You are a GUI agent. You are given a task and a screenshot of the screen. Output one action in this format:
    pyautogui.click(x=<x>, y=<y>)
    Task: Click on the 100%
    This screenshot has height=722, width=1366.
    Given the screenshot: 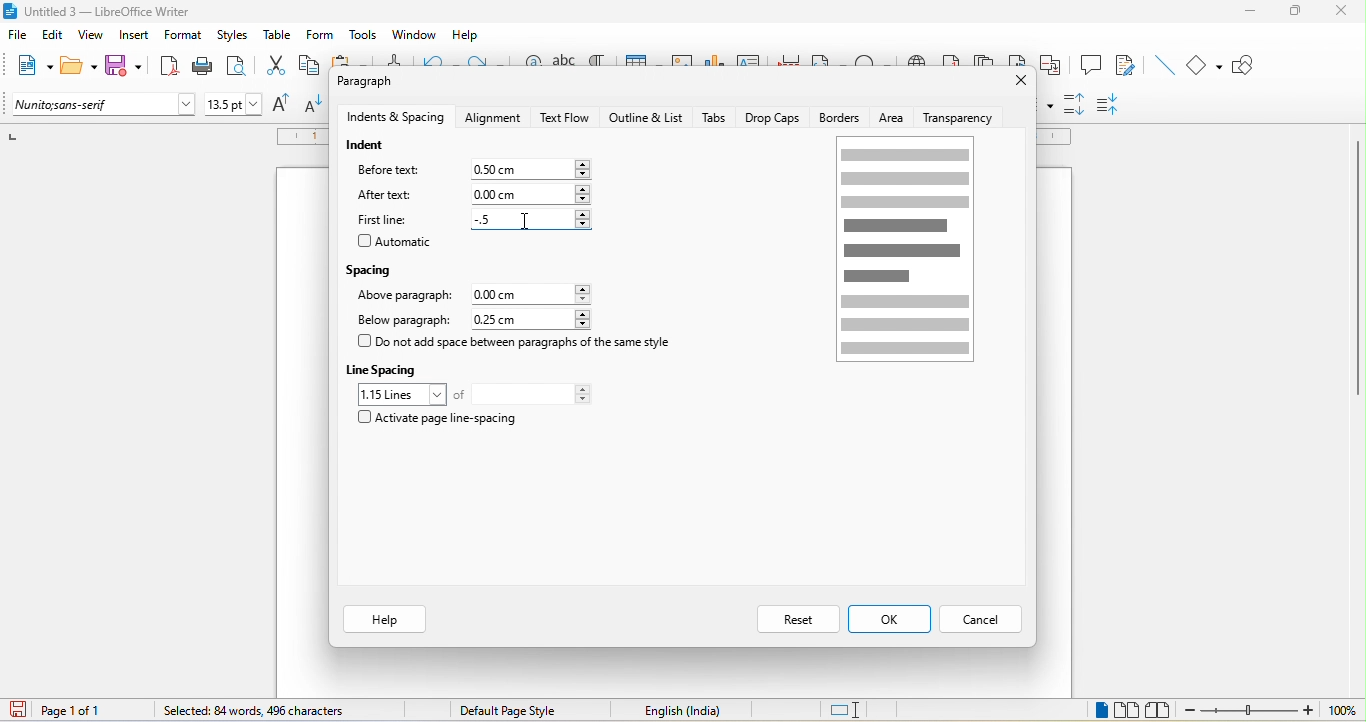 What is the action you would take?
    pyautogui.click(x=1342, y=711)
    